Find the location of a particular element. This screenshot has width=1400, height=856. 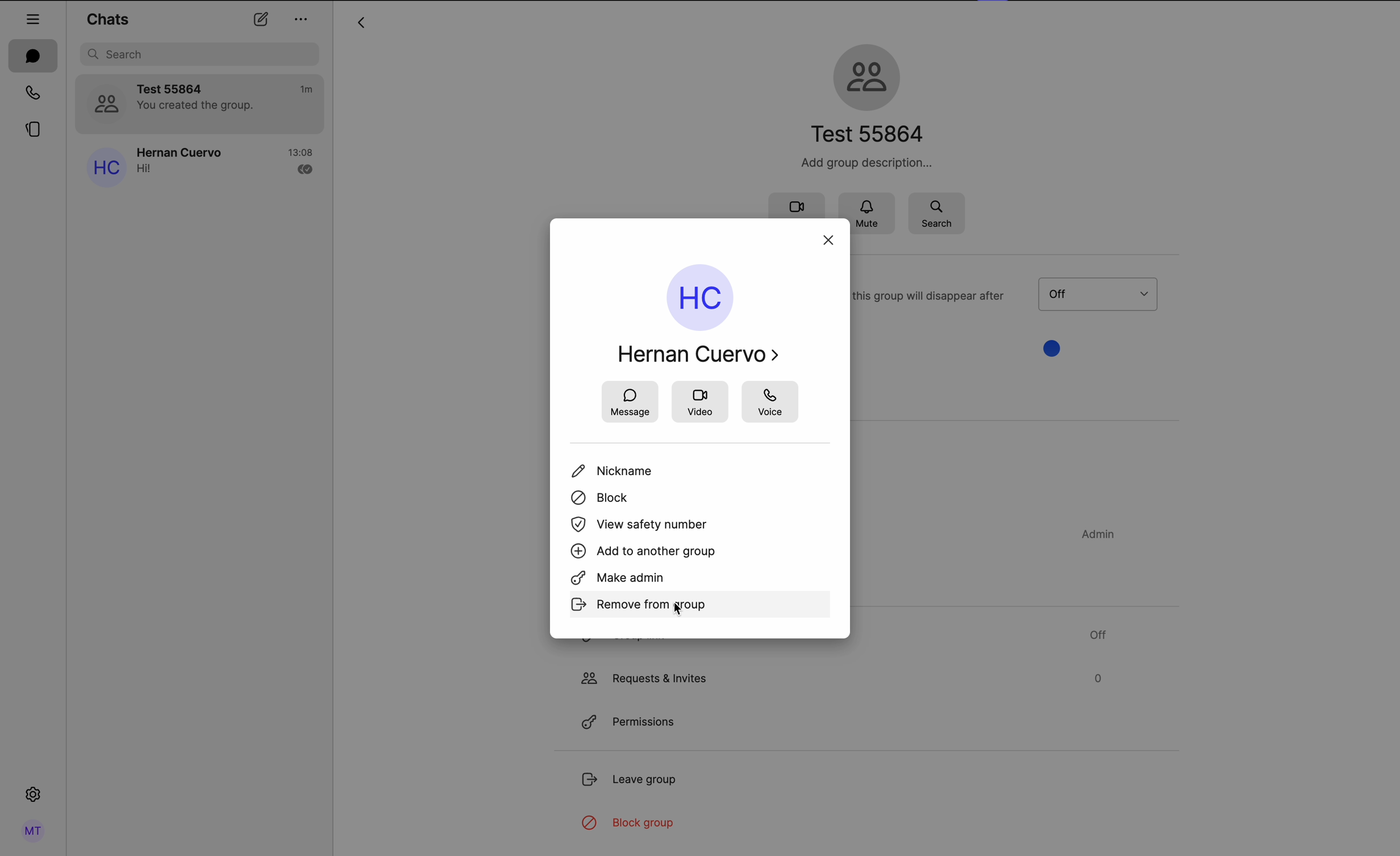

options is located at coordinates (302, 19).